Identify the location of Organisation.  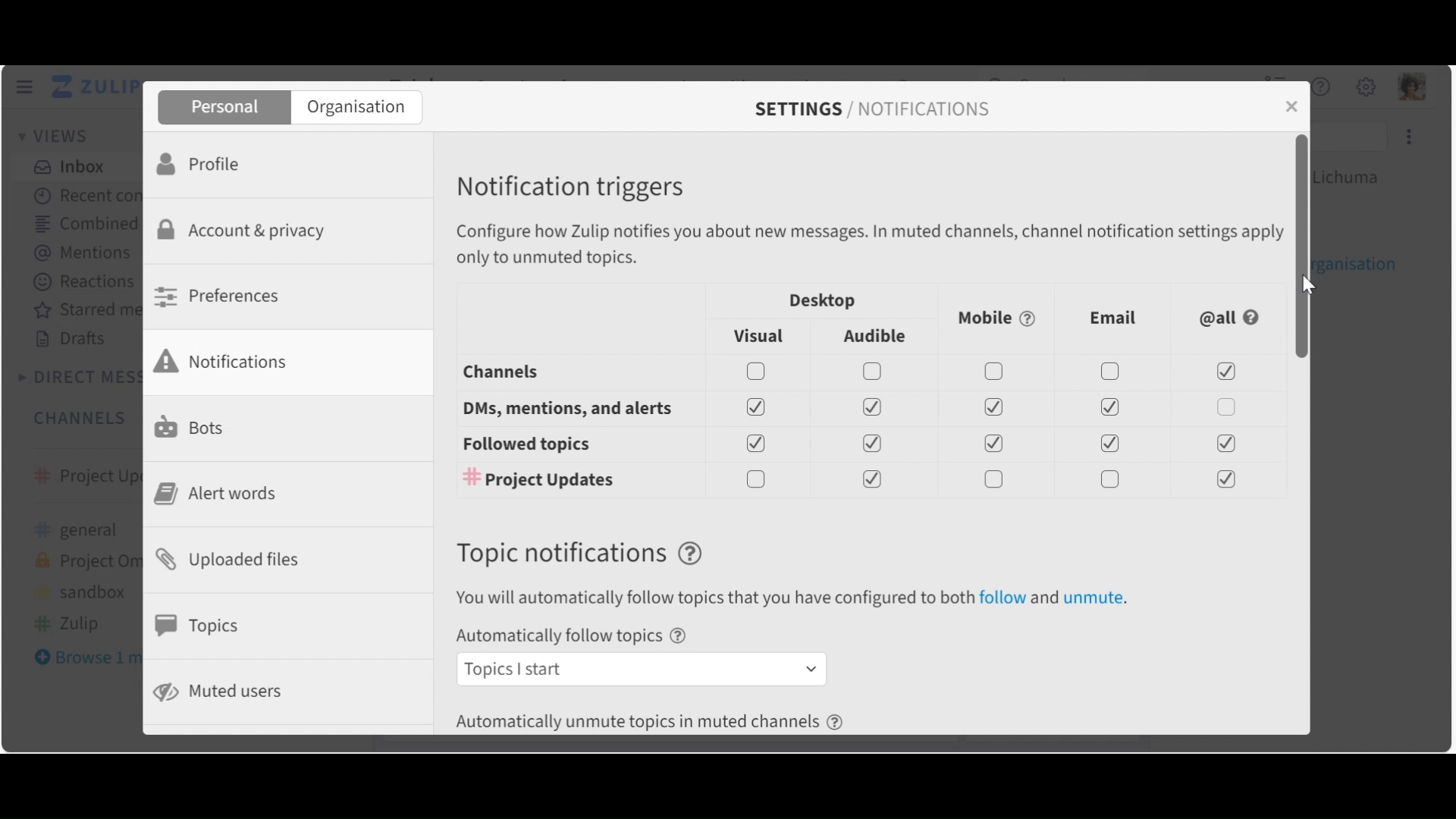
(356, 108).